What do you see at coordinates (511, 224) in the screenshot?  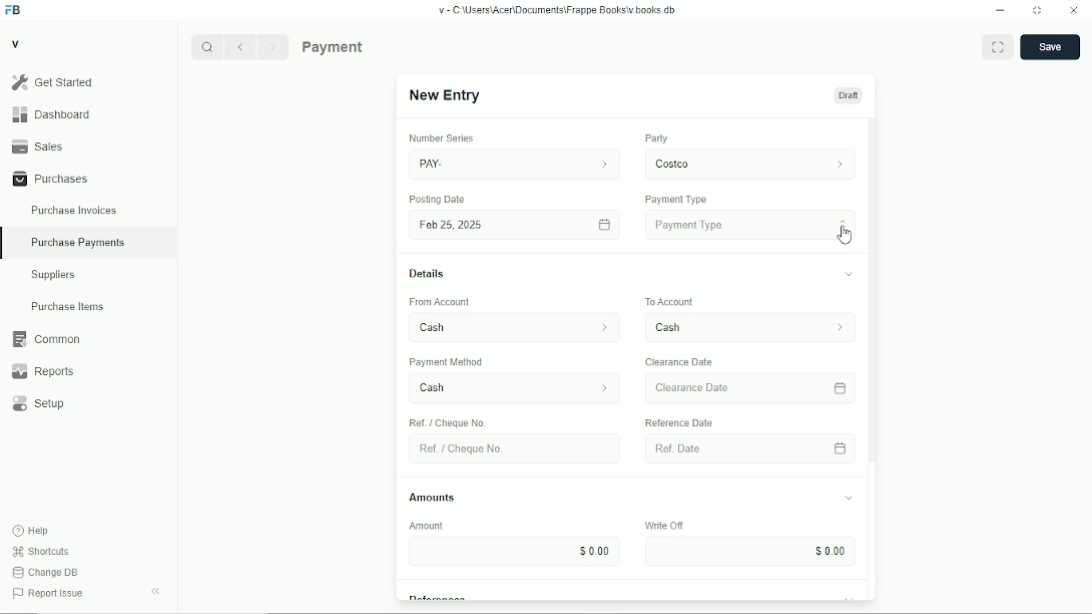 I see `Fob 25,2025` at bounding box center [511, 224].